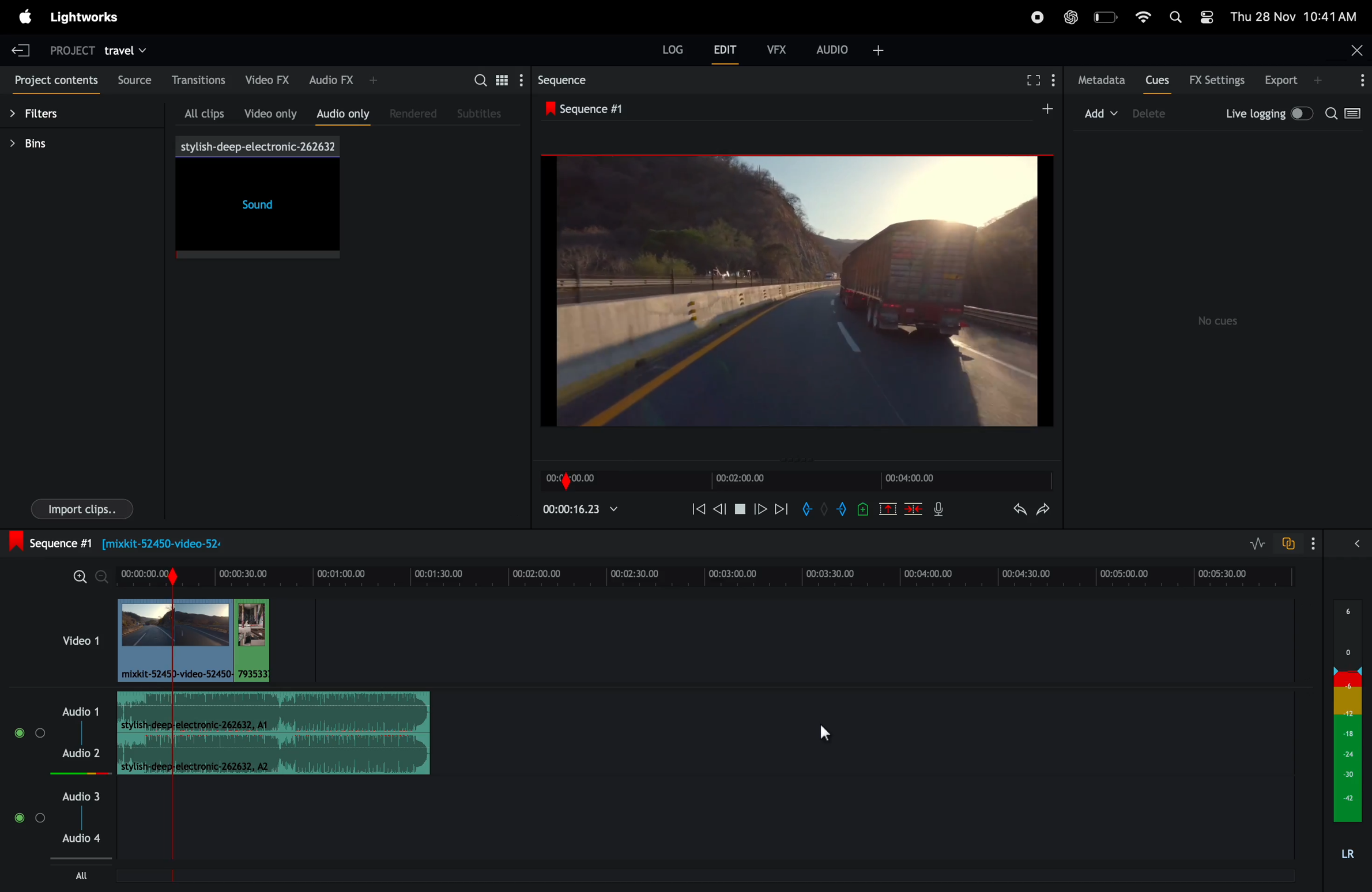 This screenshot has height=892, width=1372. Describe the element at coordinates (583, 478) in the screenshot. I see `time` at that location.